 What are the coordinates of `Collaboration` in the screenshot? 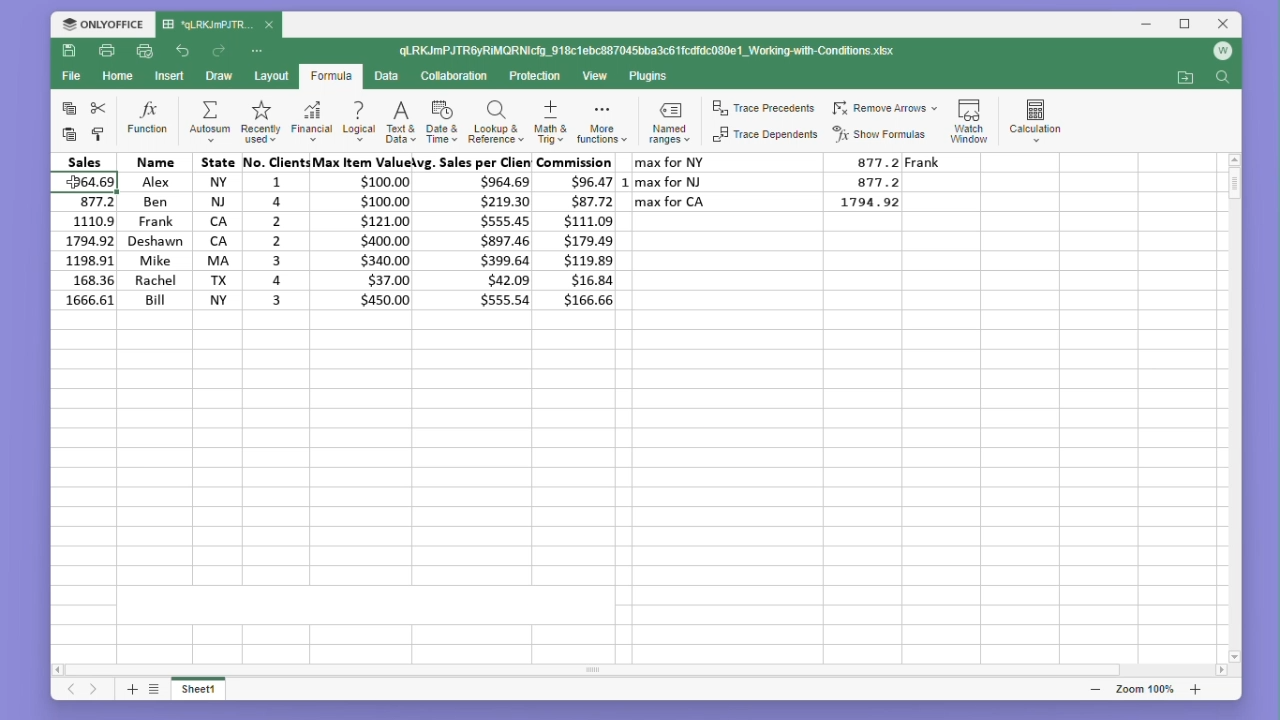 It's located at (453, 76).